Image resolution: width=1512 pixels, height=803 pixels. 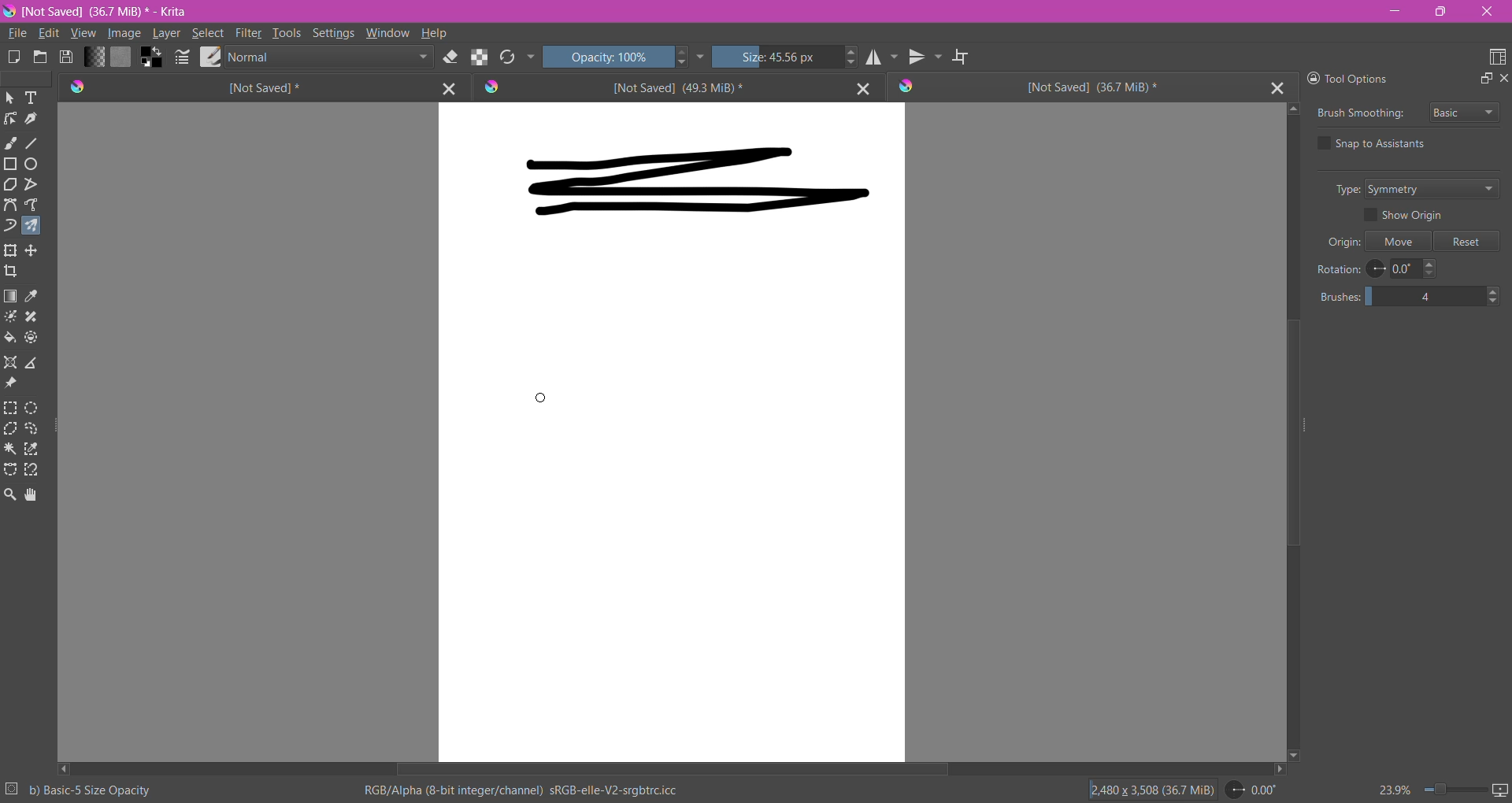 What do you see at coordinates (477, 56) in the screenshot?
I see `Preserve Alpha` at bounding box center [477, 56].